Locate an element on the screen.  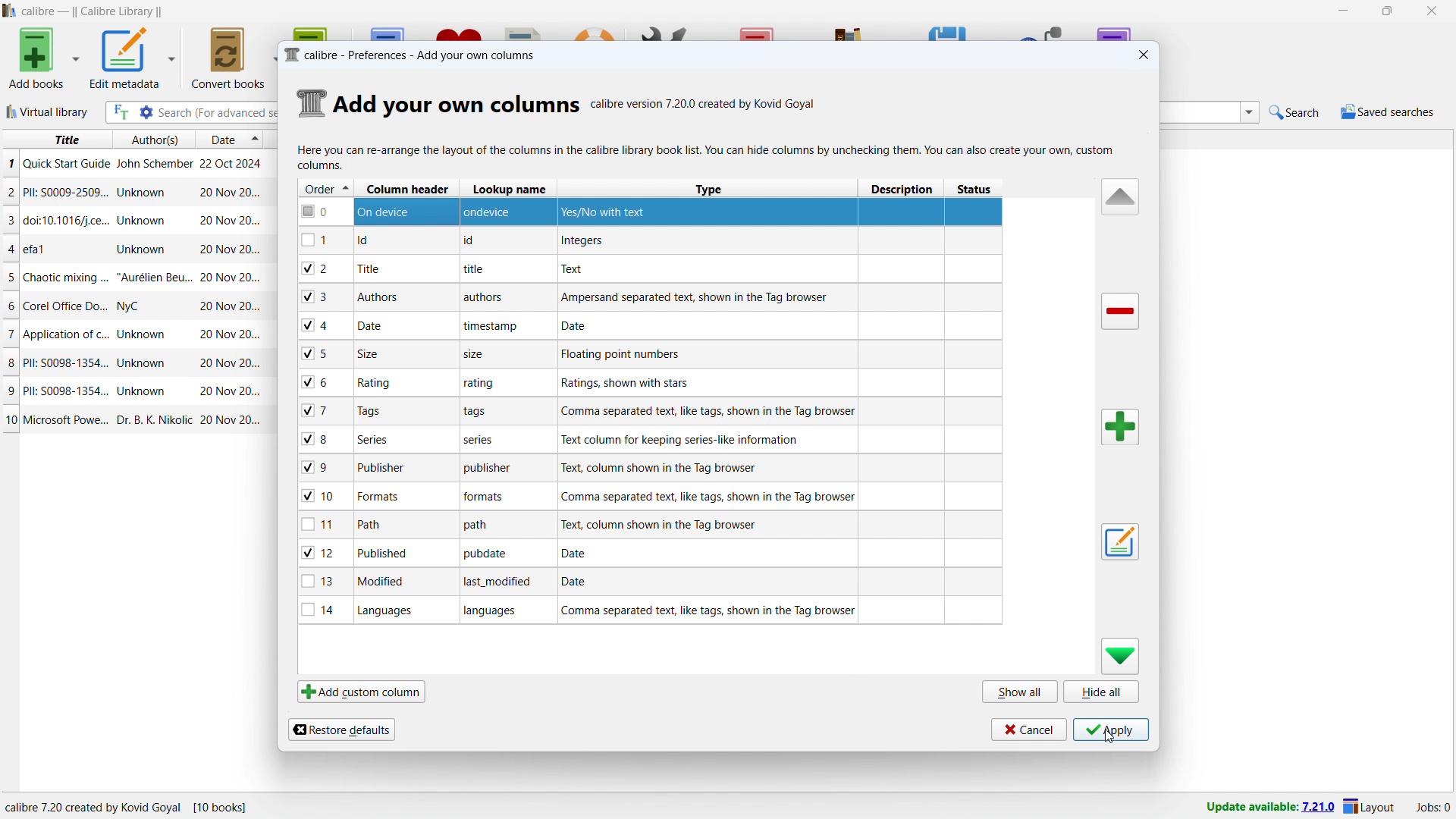
version details is located at coordinates (706, 106).